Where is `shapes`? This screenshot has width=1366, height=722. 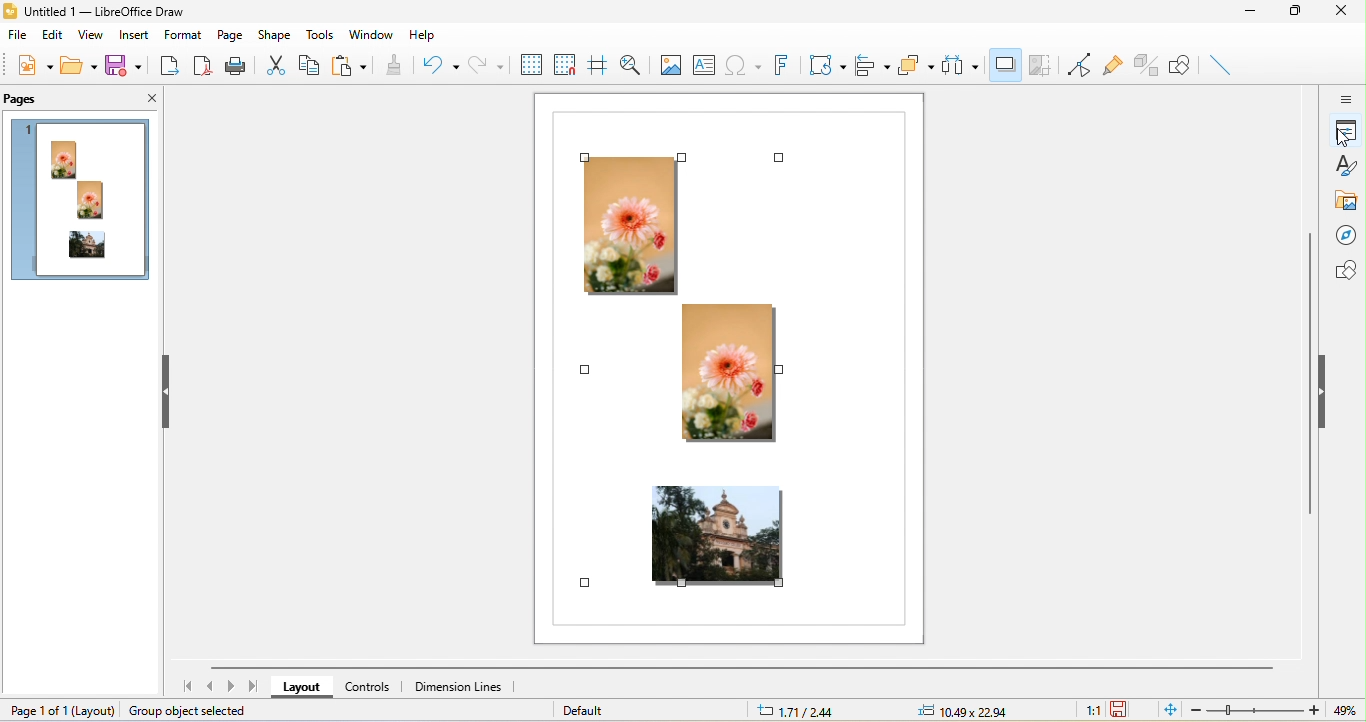 shapes is located at coordinates (1348, 270).